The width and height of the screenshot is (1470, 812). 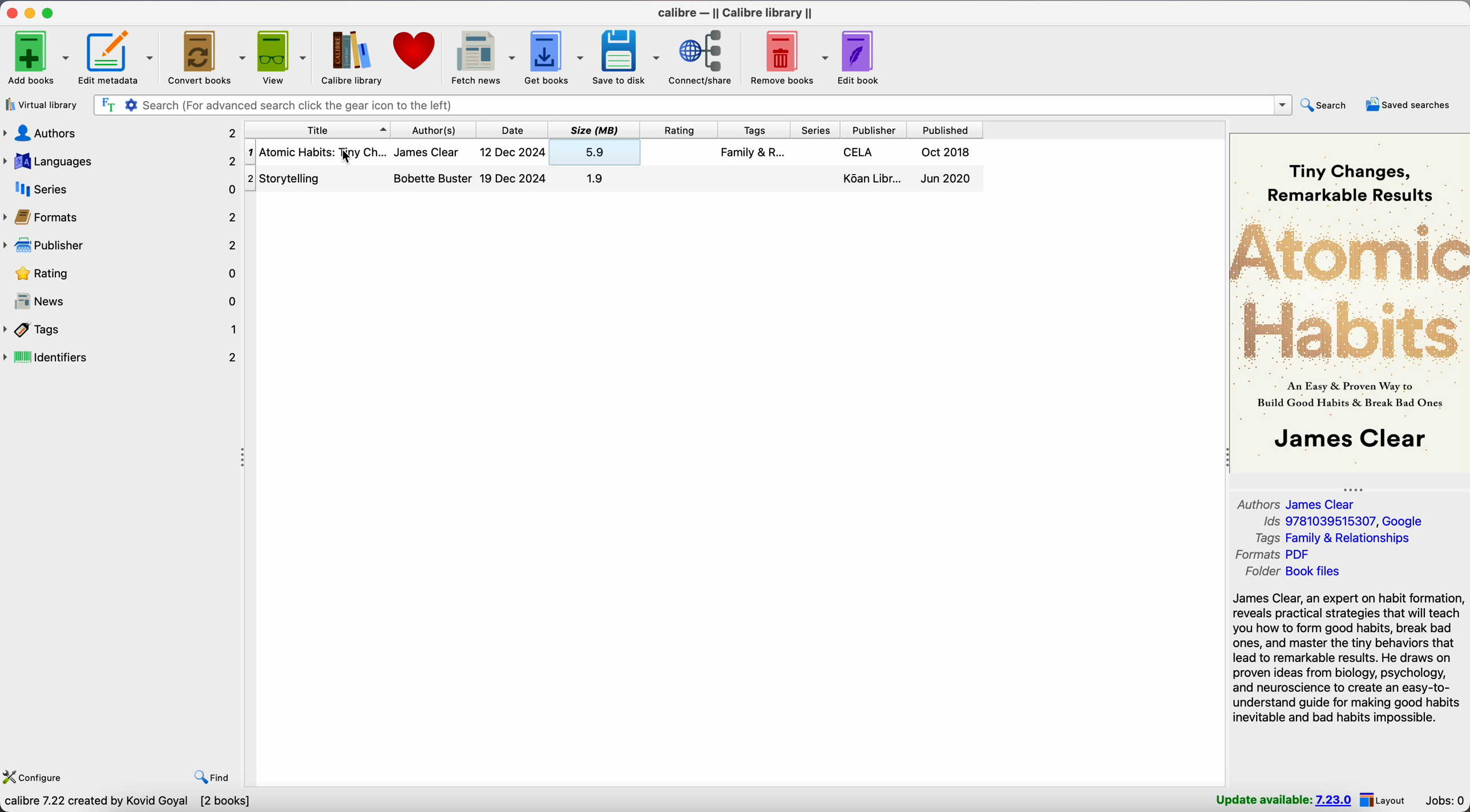 I want to click on Jobs: 0, so click(x=1445, y=801).